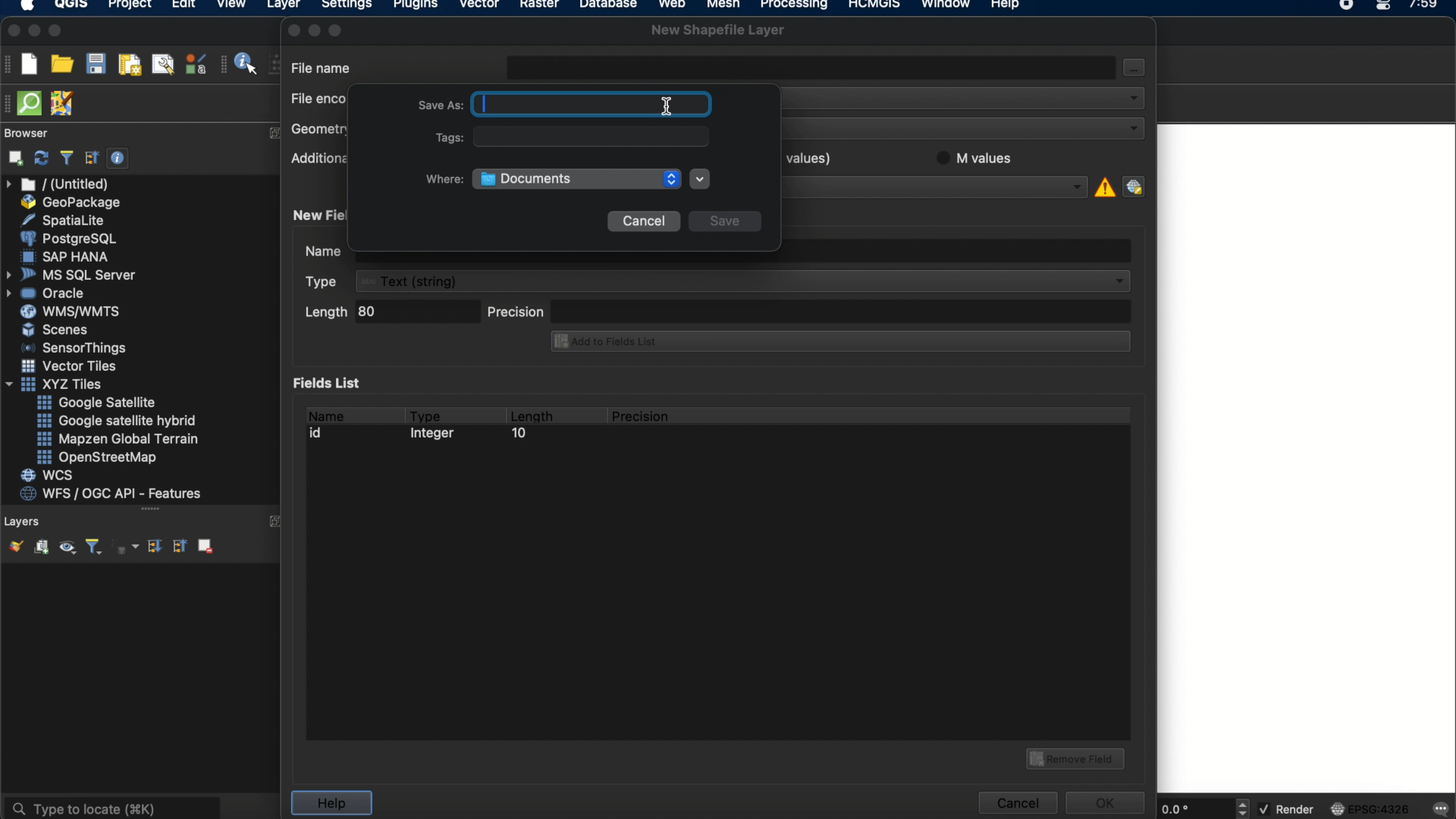 The height and width of the screenshot is (819, 1456). What do you see at coordinates (293, 30) in the screenshot?
I see `close` at bounding box center [293, 30].